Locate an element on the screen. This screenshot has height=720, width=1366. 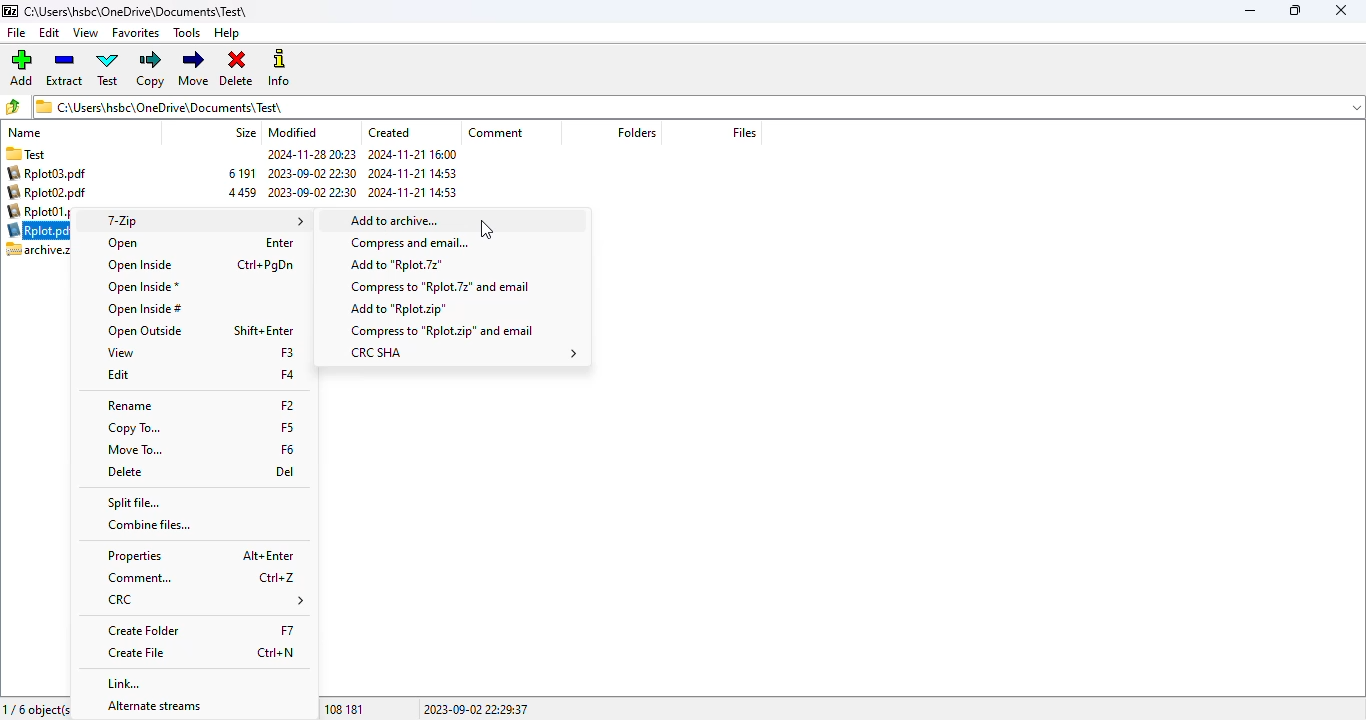
cursor is located at coordinates (487, 229).